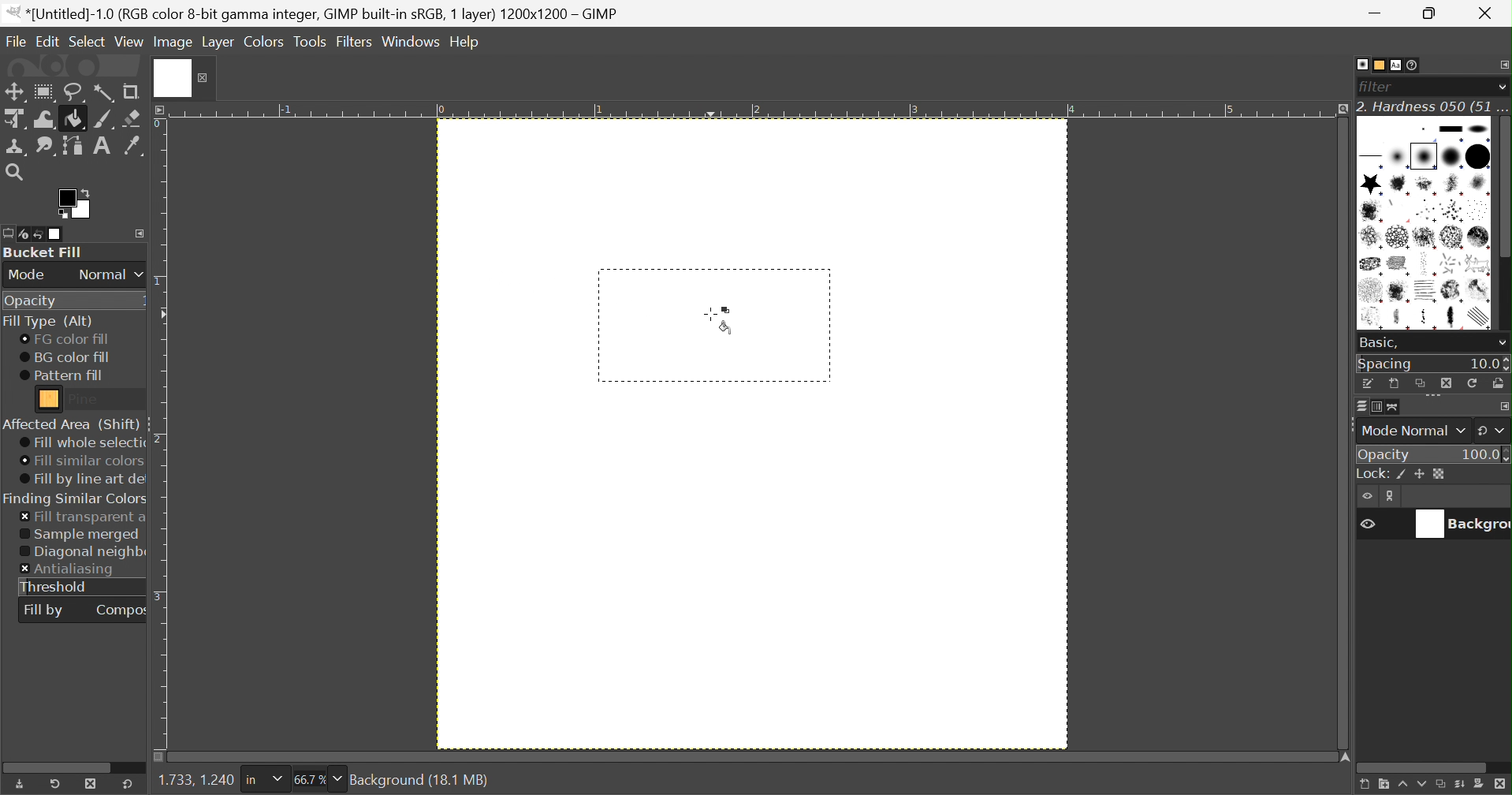  I want to click on Confetti, so click(1451, 263).